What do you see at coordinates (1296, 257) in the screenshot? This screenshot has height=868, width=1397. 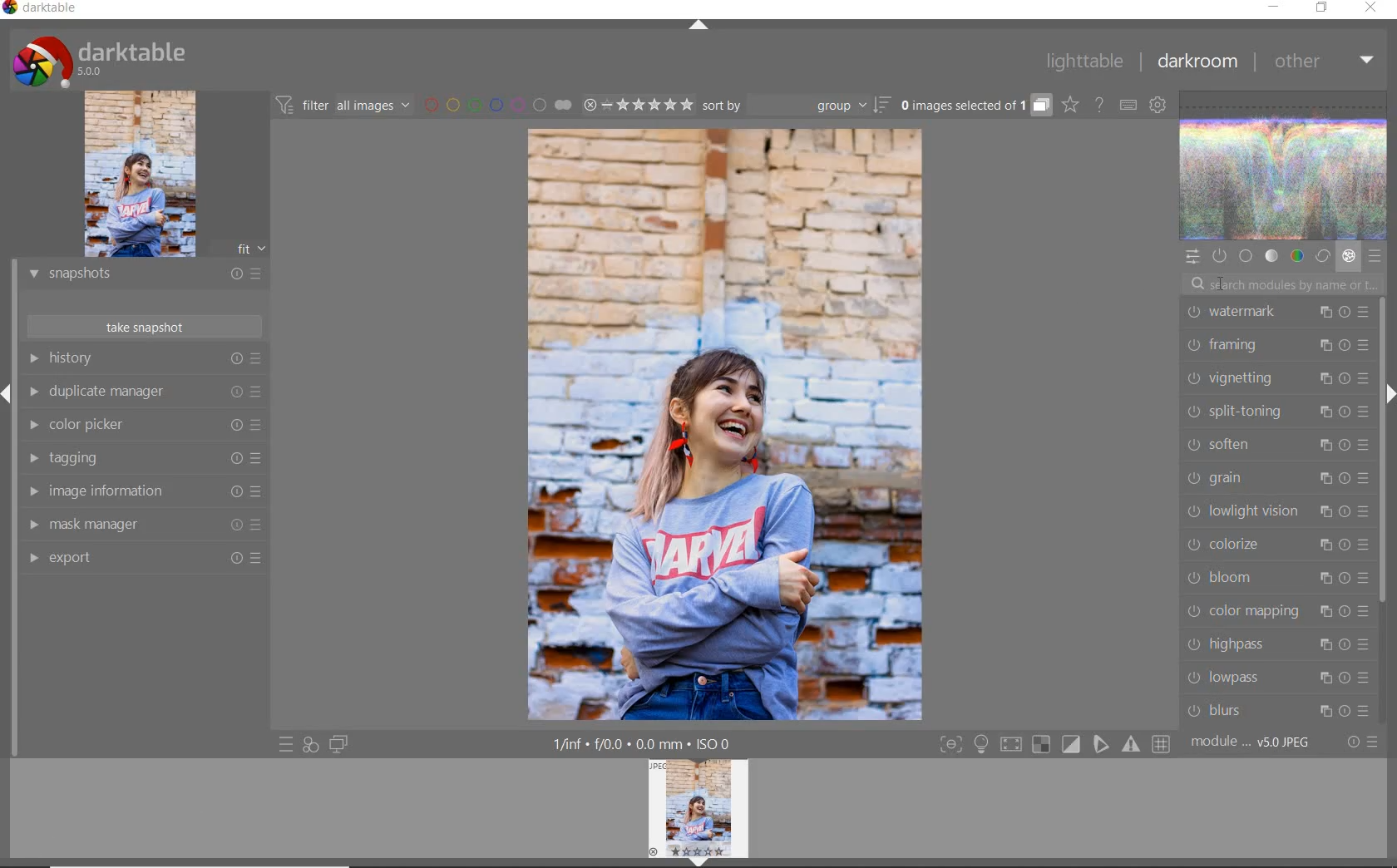 I see `color` at bounding box center [1296, 257].